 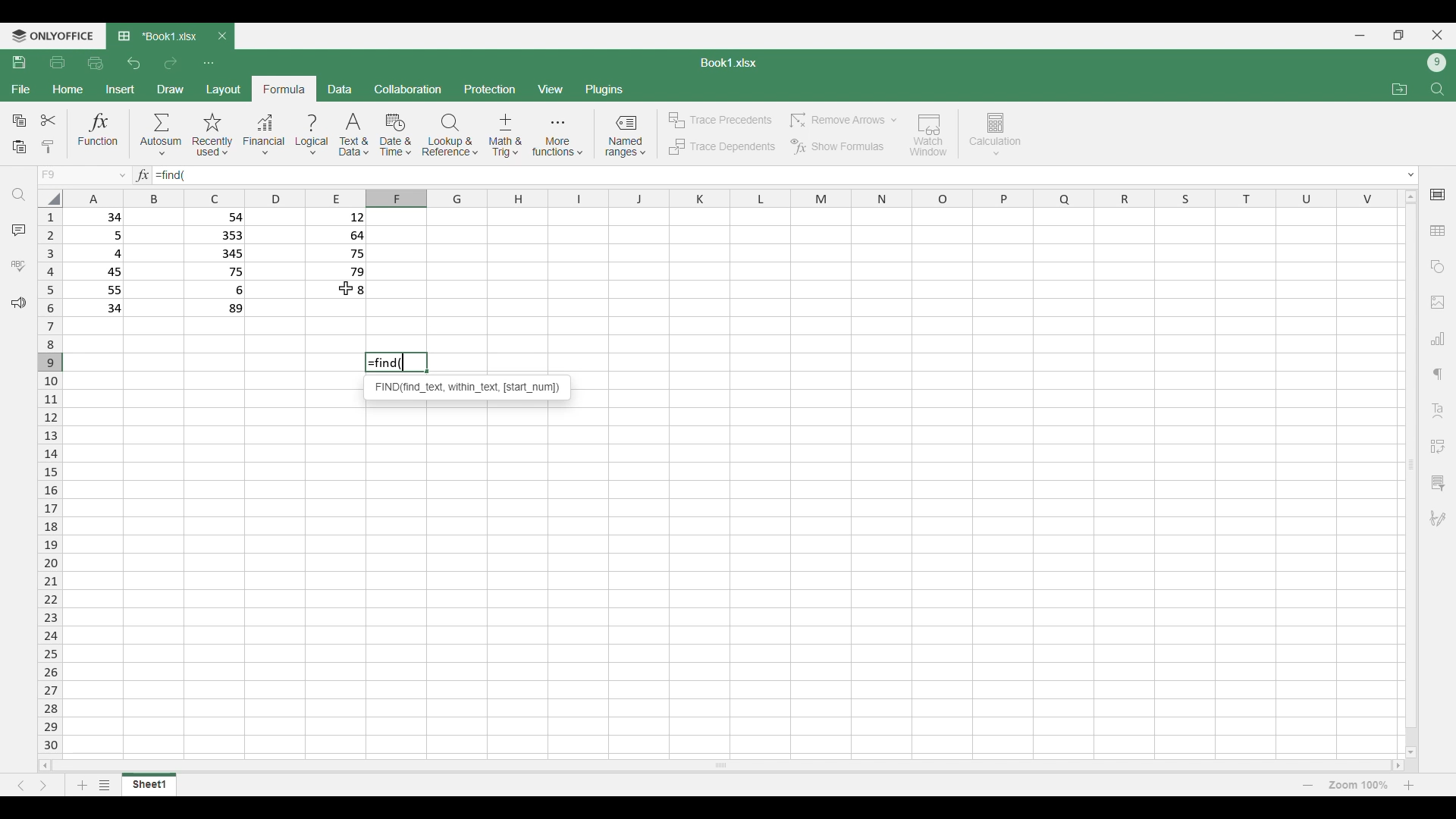 I want to click on View menu, so click(x=550, y=89).